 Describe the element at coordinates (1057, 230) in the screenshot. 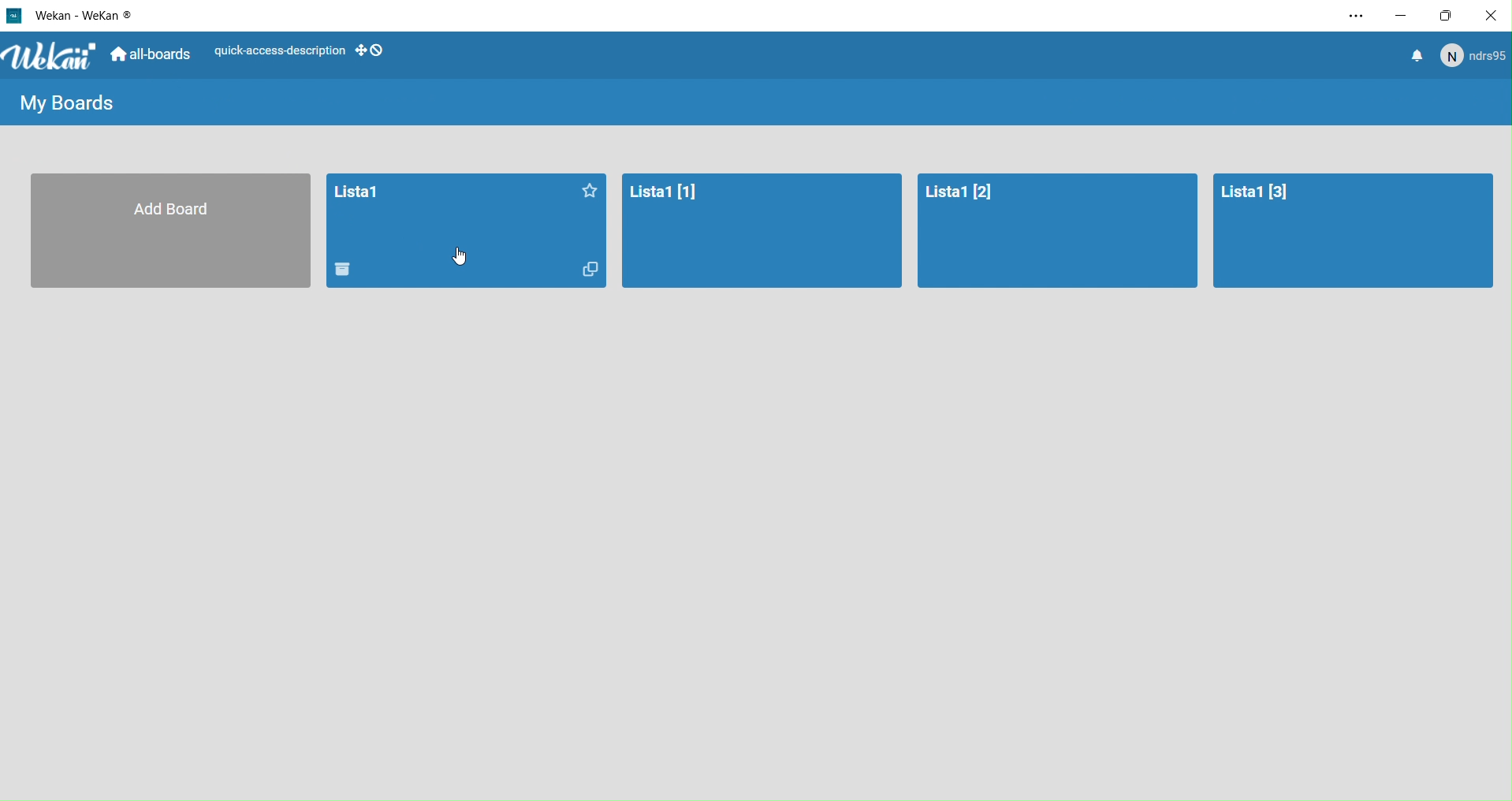

I see `Board 3` at that location.